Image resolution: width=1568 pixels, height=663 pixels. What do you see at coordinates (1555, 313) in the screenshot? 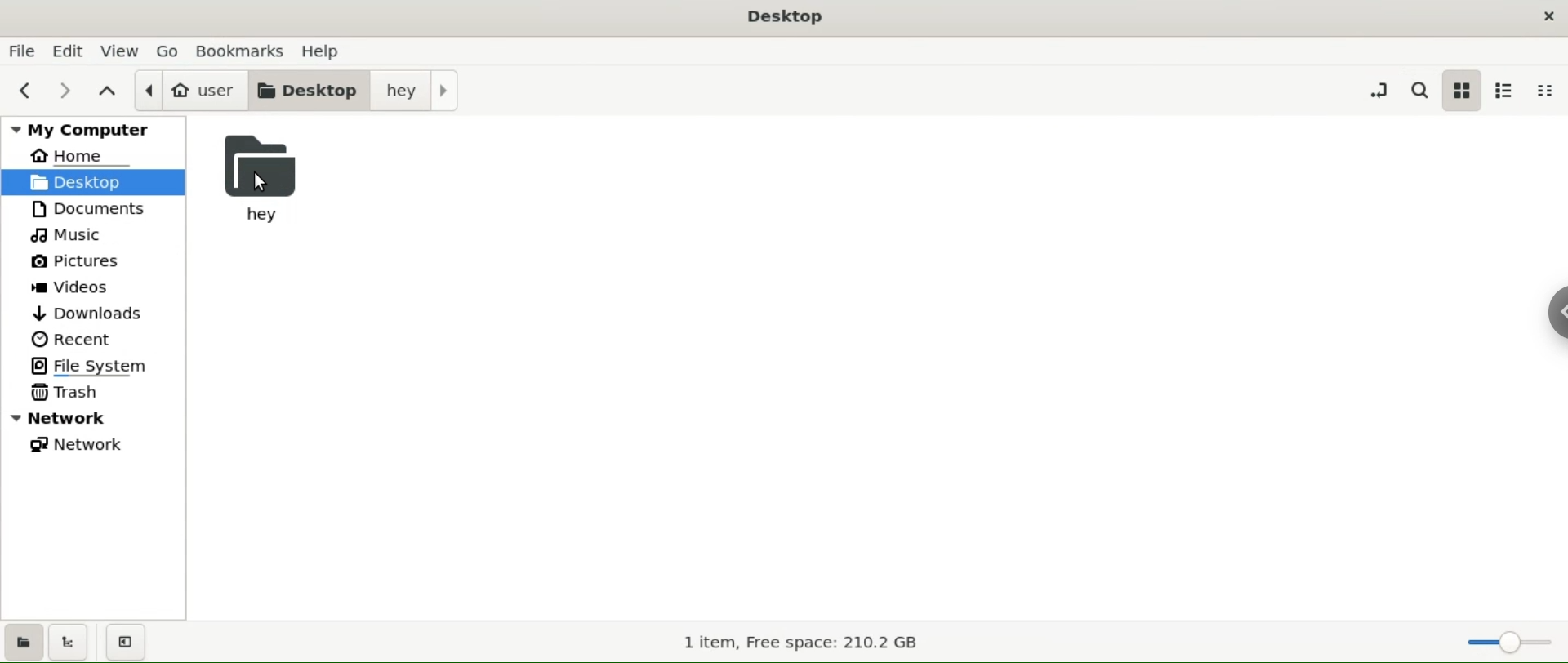
I see `Chrome options` at bounding box center [1555, 313].